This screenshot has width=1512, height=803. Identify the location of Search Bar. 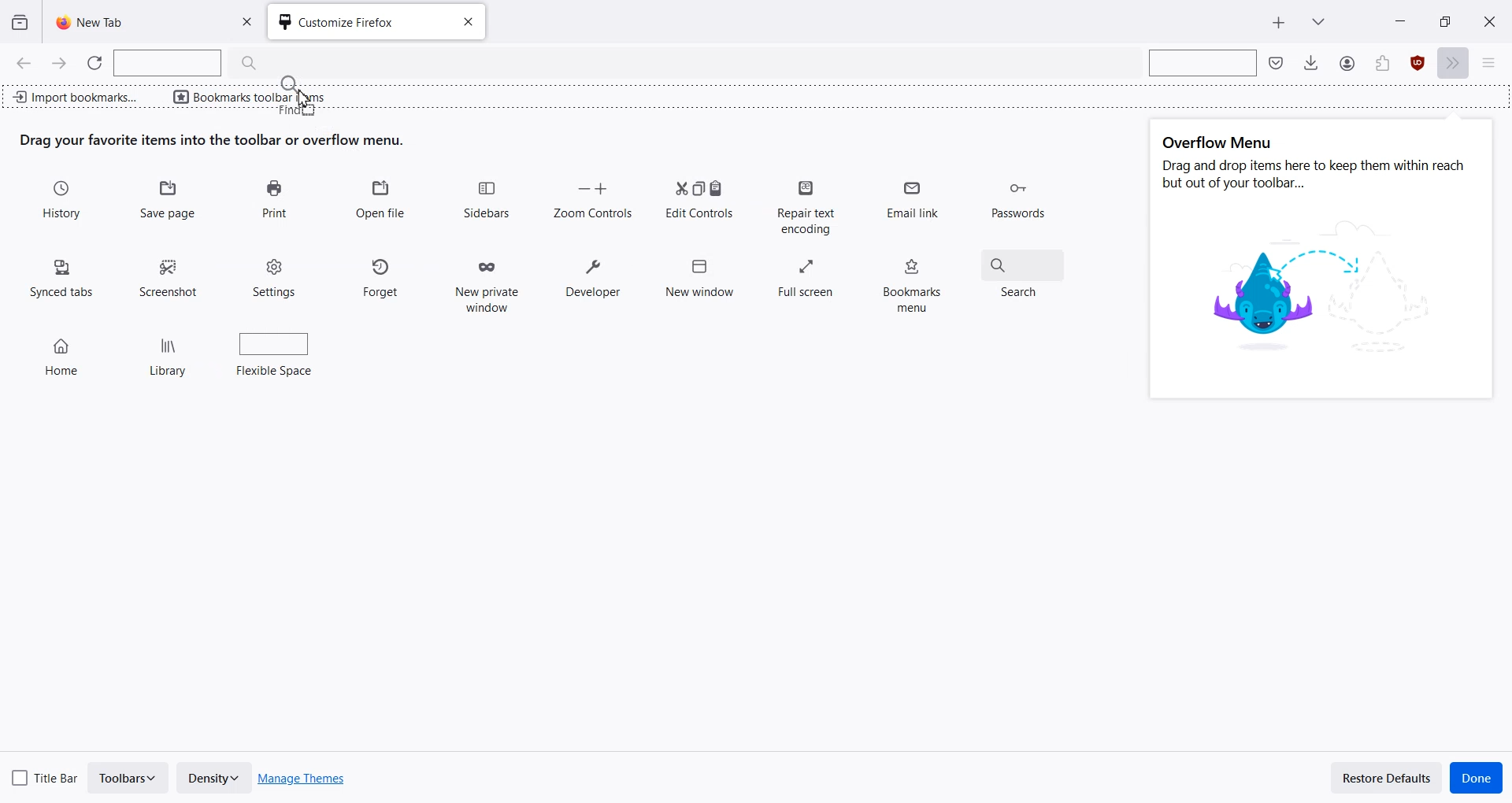
(195, 63).